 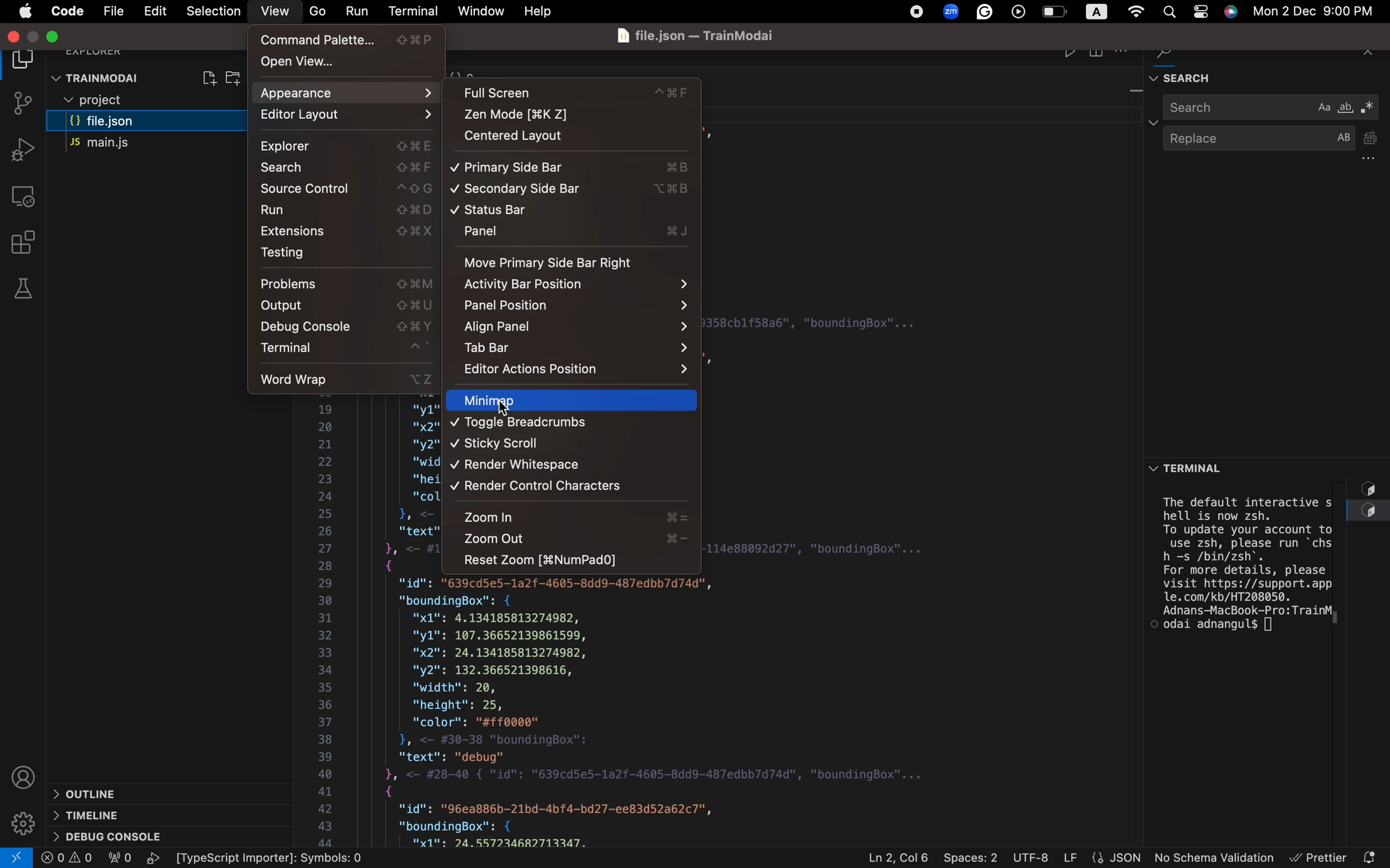 What do you see at coordinates (569, 346) in the screenshot?
I see `tab bar` at bounding box center [569, 346].